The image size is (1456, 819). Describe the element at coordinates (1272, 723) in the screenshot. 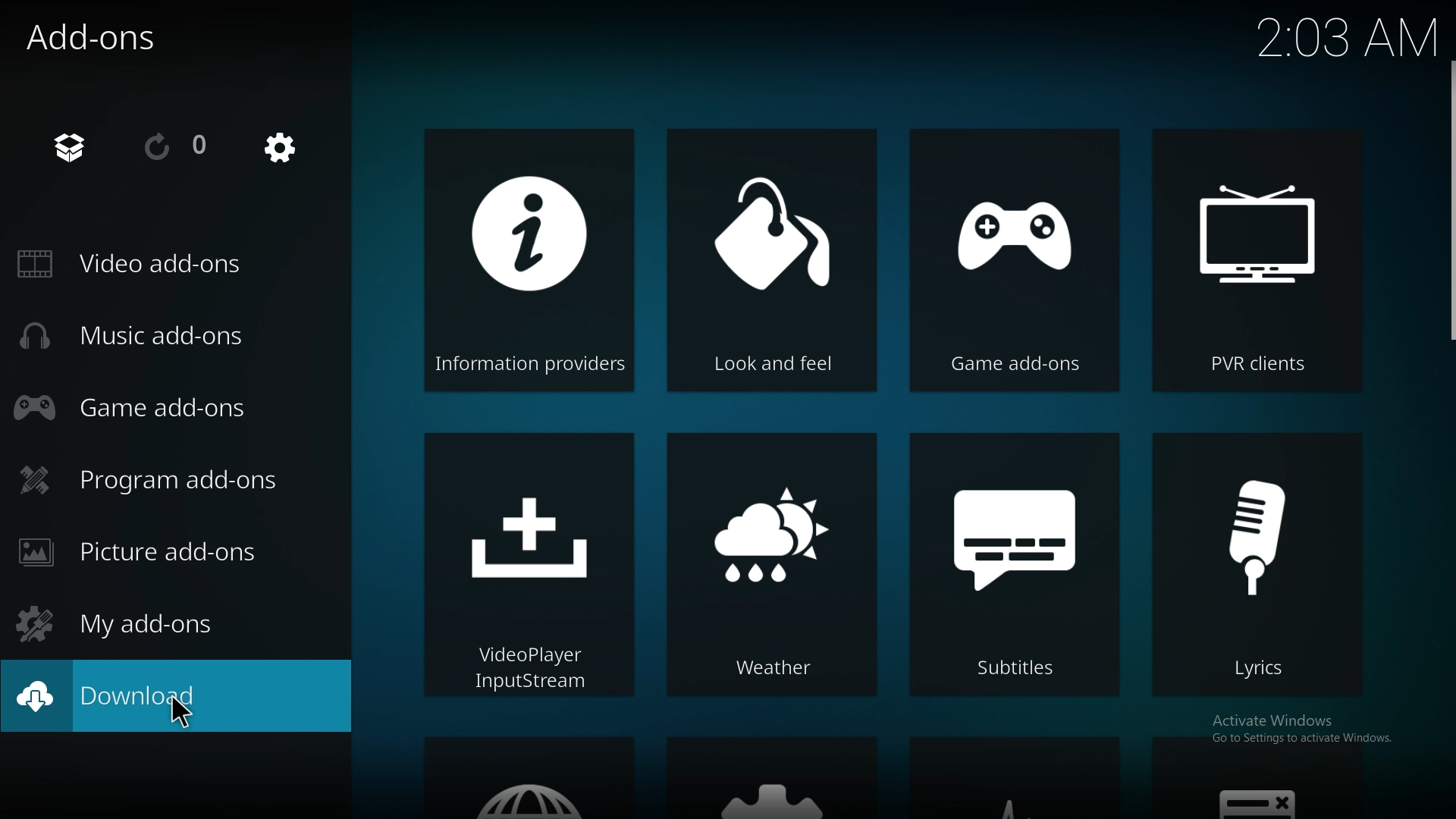

I see `Activate Windows` at that location.